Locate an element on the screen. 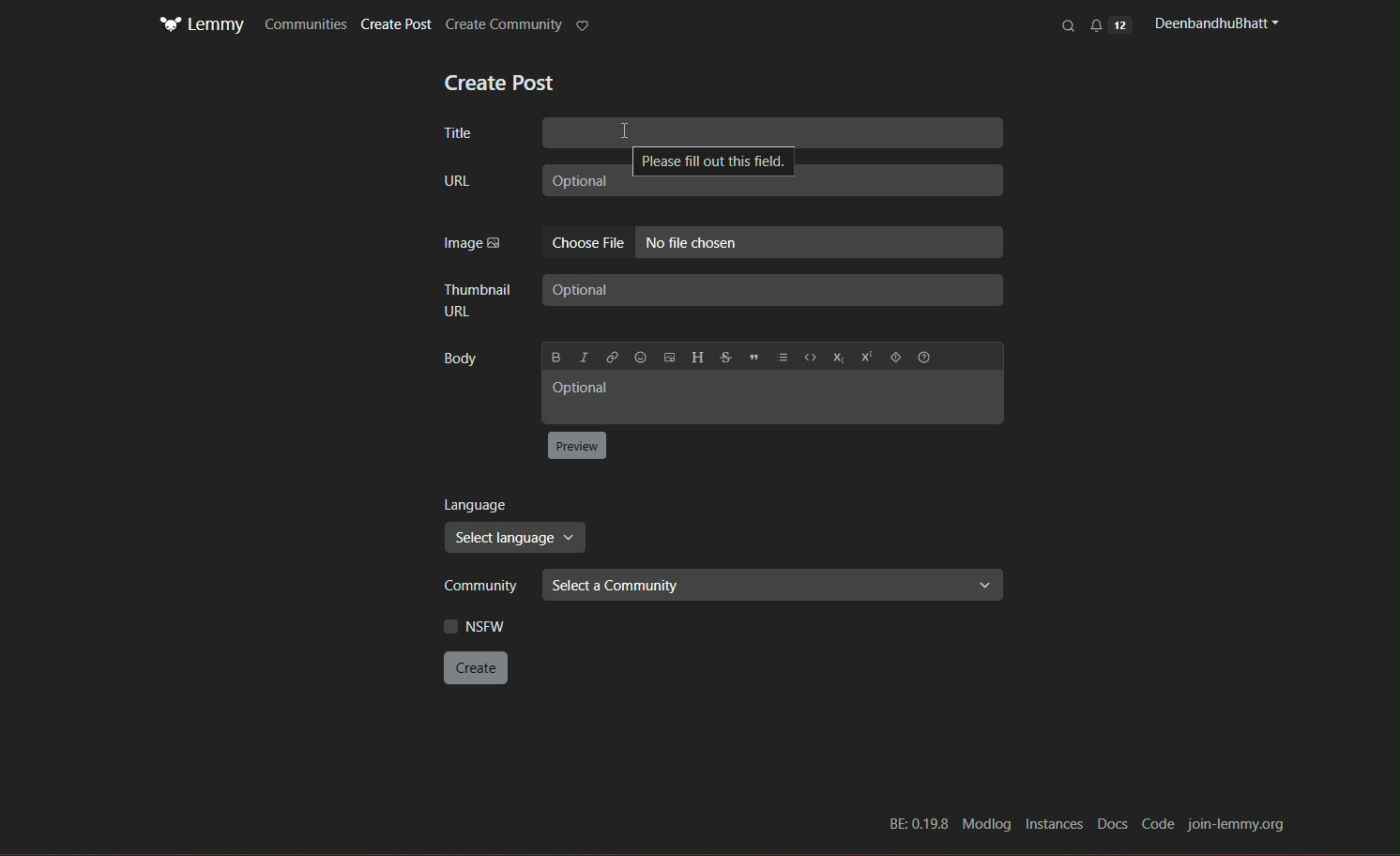 The image size is (1400, 856). create is located at coordinates (478, 666).